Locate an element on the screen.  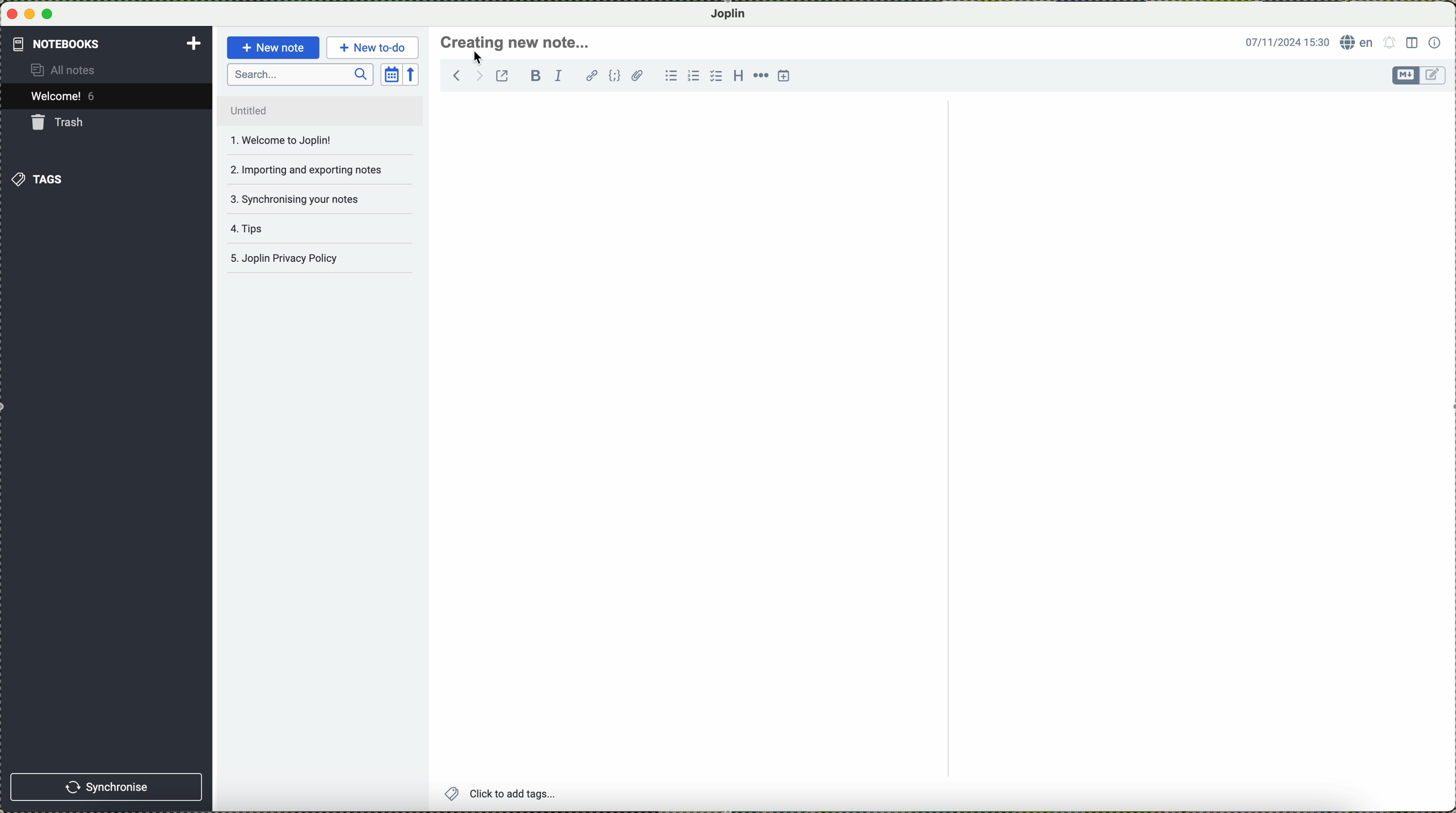
welcome 5 is located at coordinates (66, 98).